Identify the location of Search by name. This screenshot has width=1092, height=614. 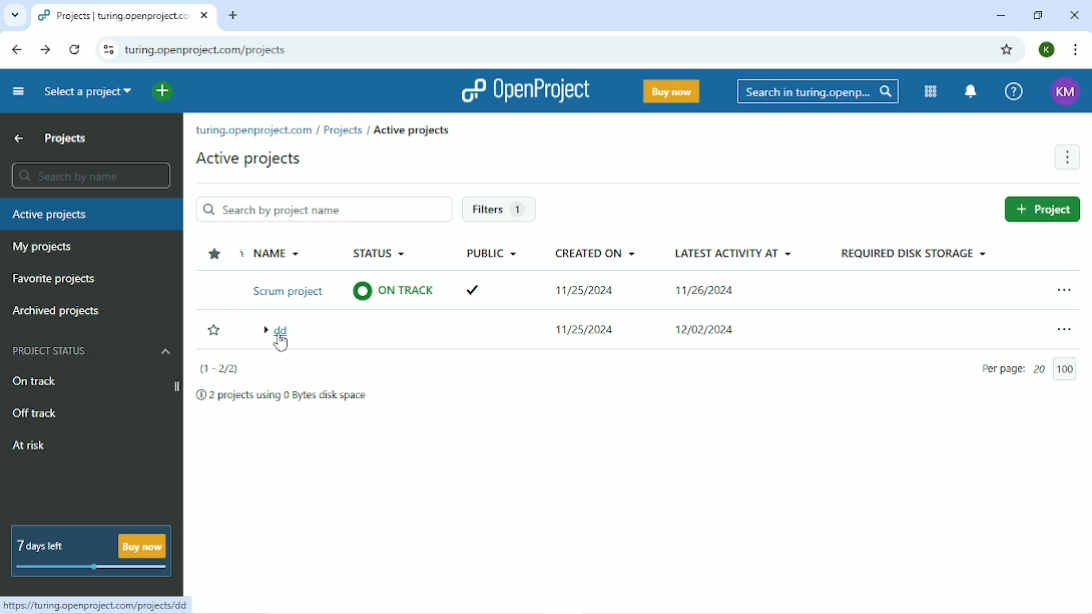
(93, 178).